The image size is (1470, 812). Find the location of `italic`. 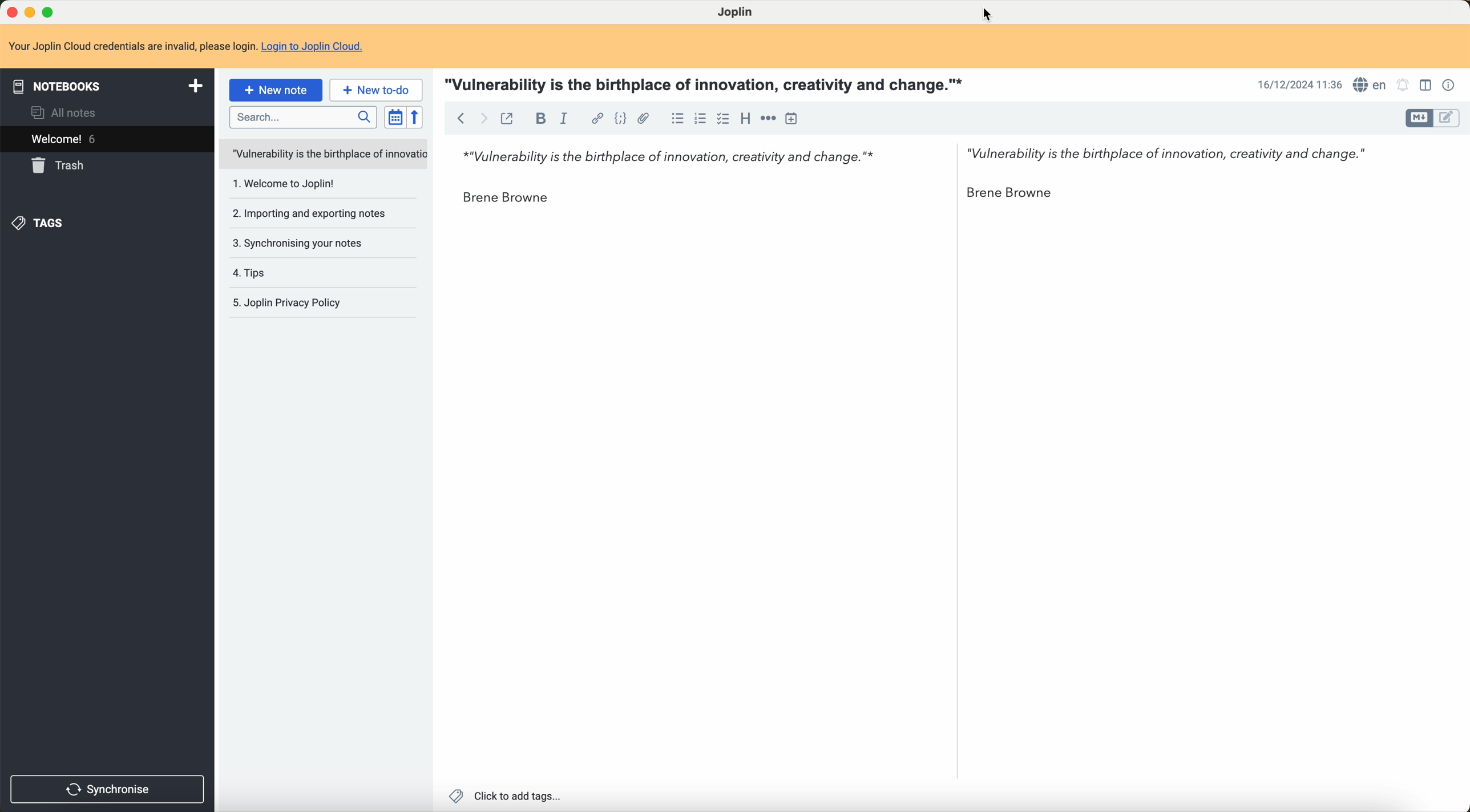

italic is located at coordinates (567, 118).